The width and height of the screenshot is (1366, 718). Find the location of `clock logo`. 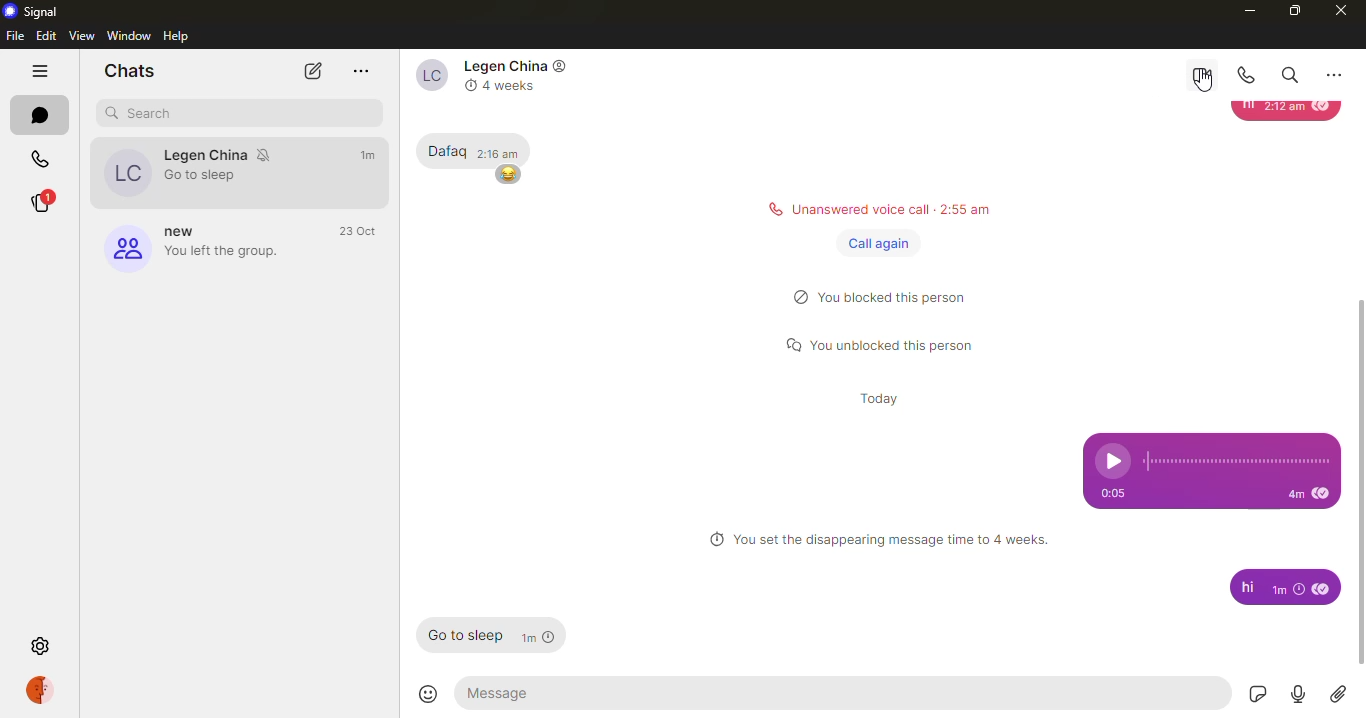

clock logo is located at coordinates (468, 85).